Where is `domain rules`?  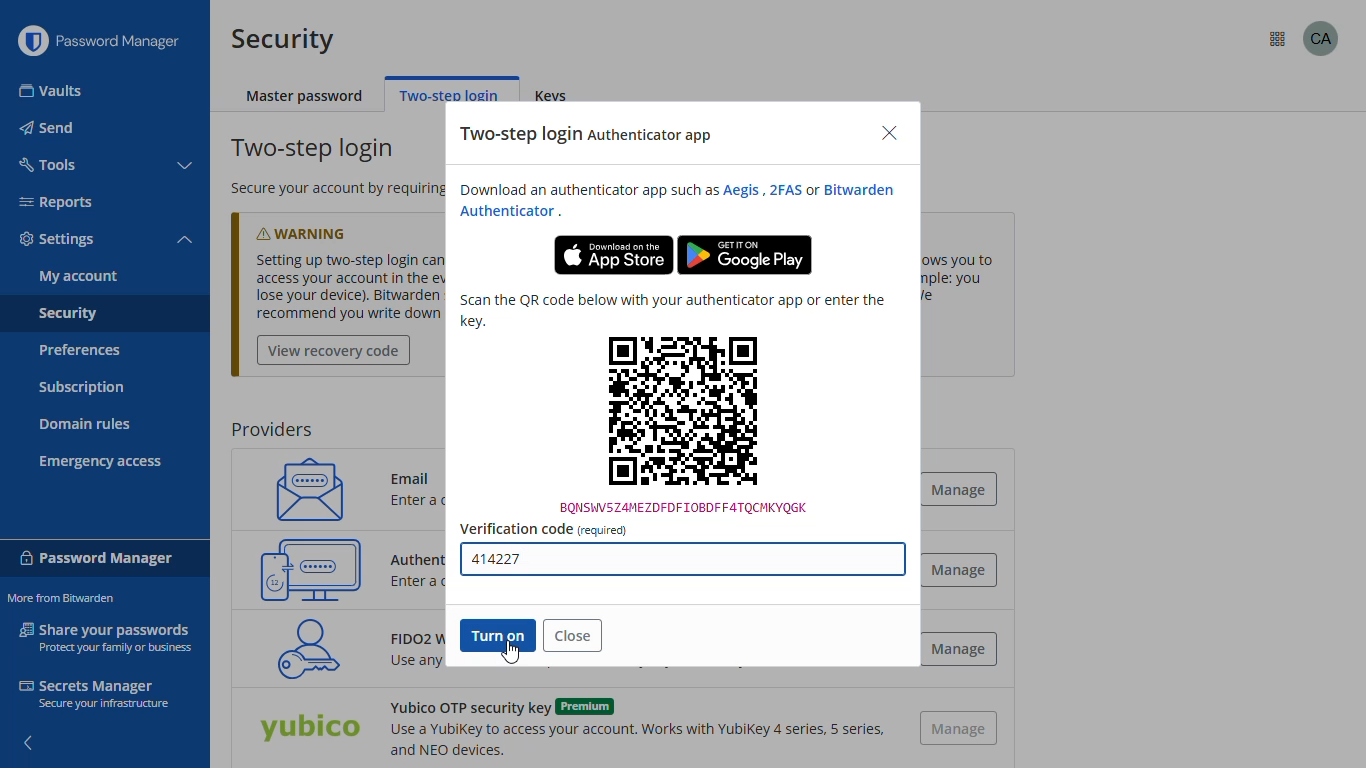 domain rules is located at coordinates (85, 426).